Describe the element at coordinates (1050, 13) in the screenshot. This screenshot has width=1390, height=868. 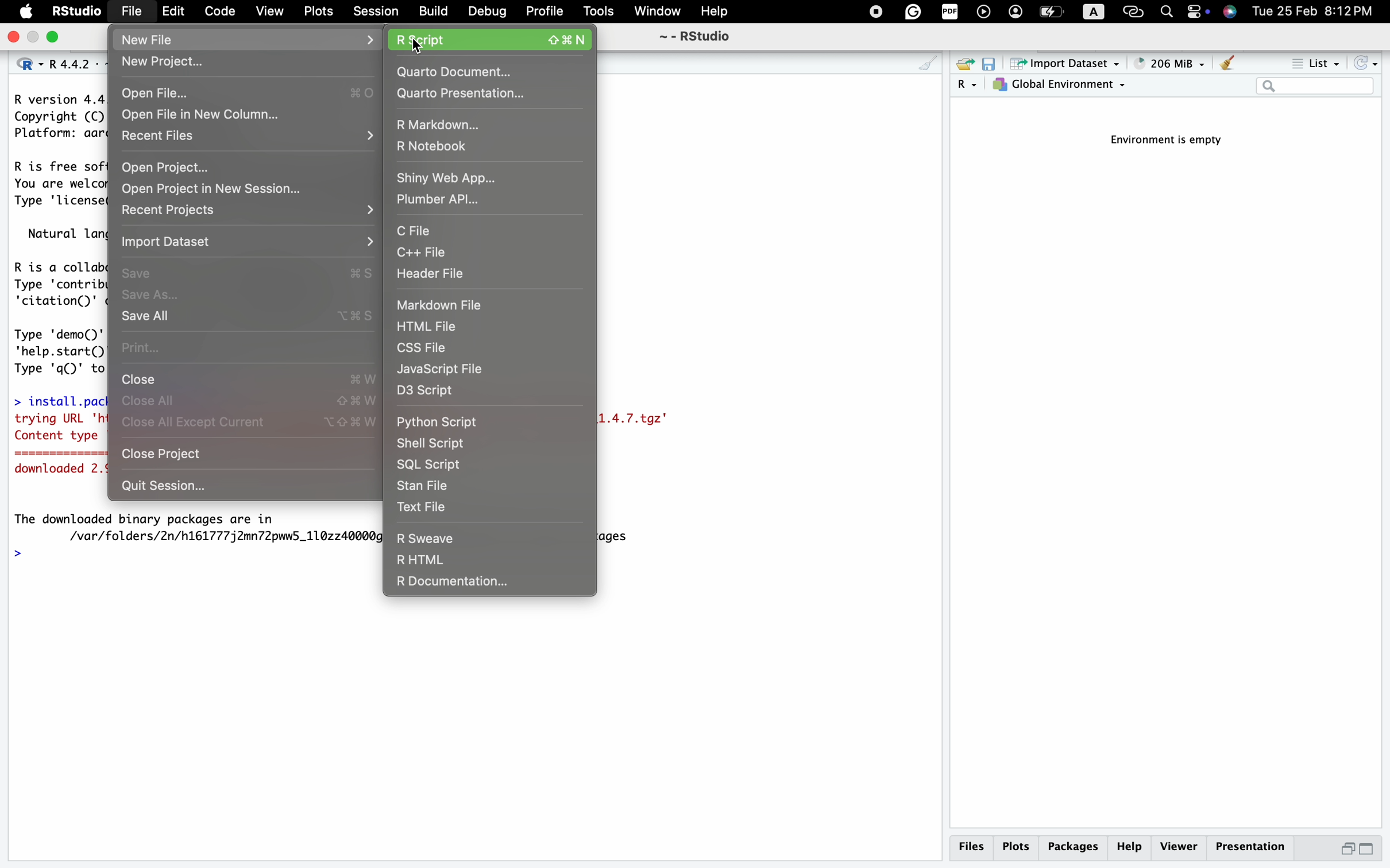
I see `battery charge` at that location.